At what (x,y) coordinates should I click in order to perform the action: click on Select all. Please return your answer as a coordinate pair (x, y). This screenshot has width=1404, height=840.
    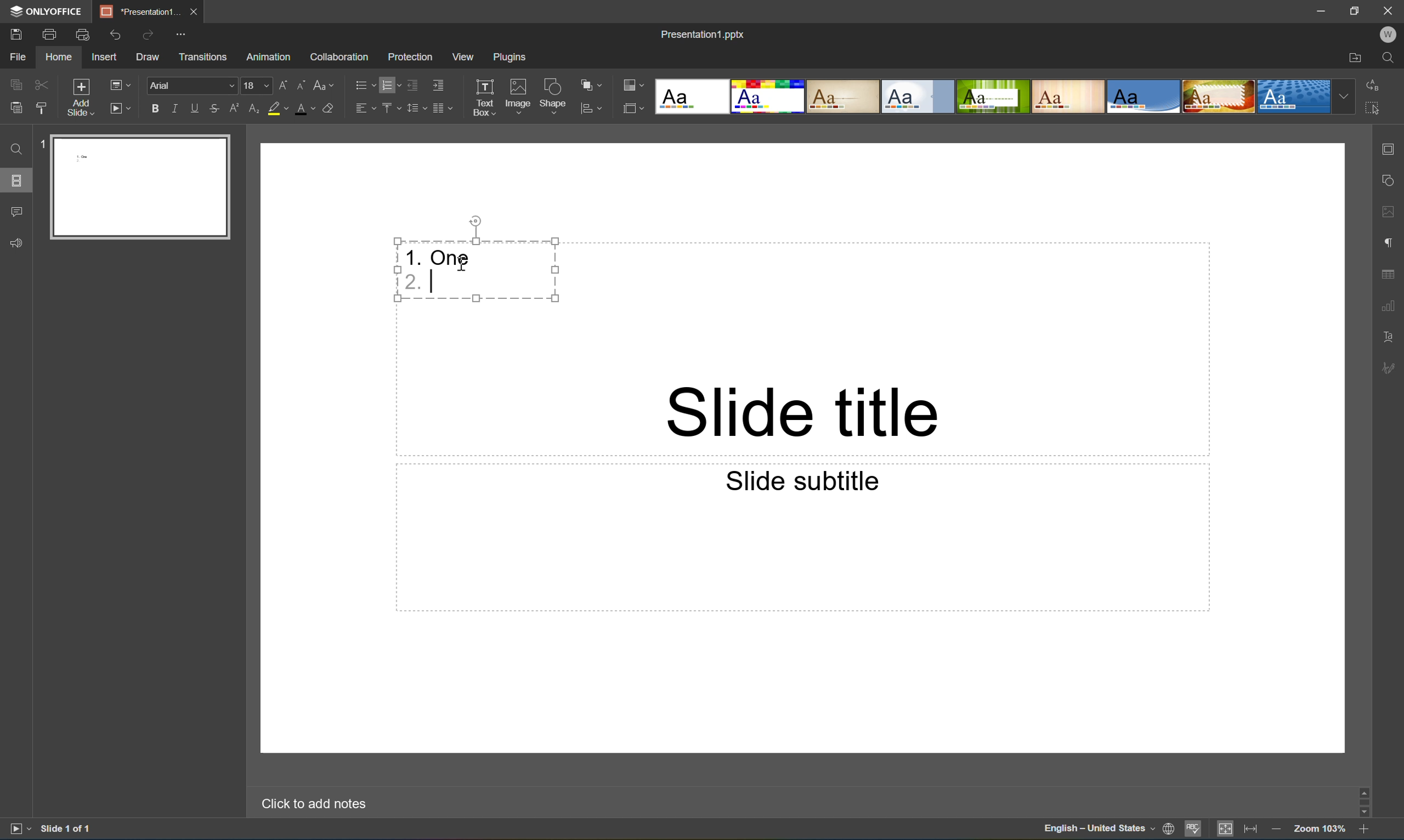
    Looking at the image, I should click on (1373, 107).